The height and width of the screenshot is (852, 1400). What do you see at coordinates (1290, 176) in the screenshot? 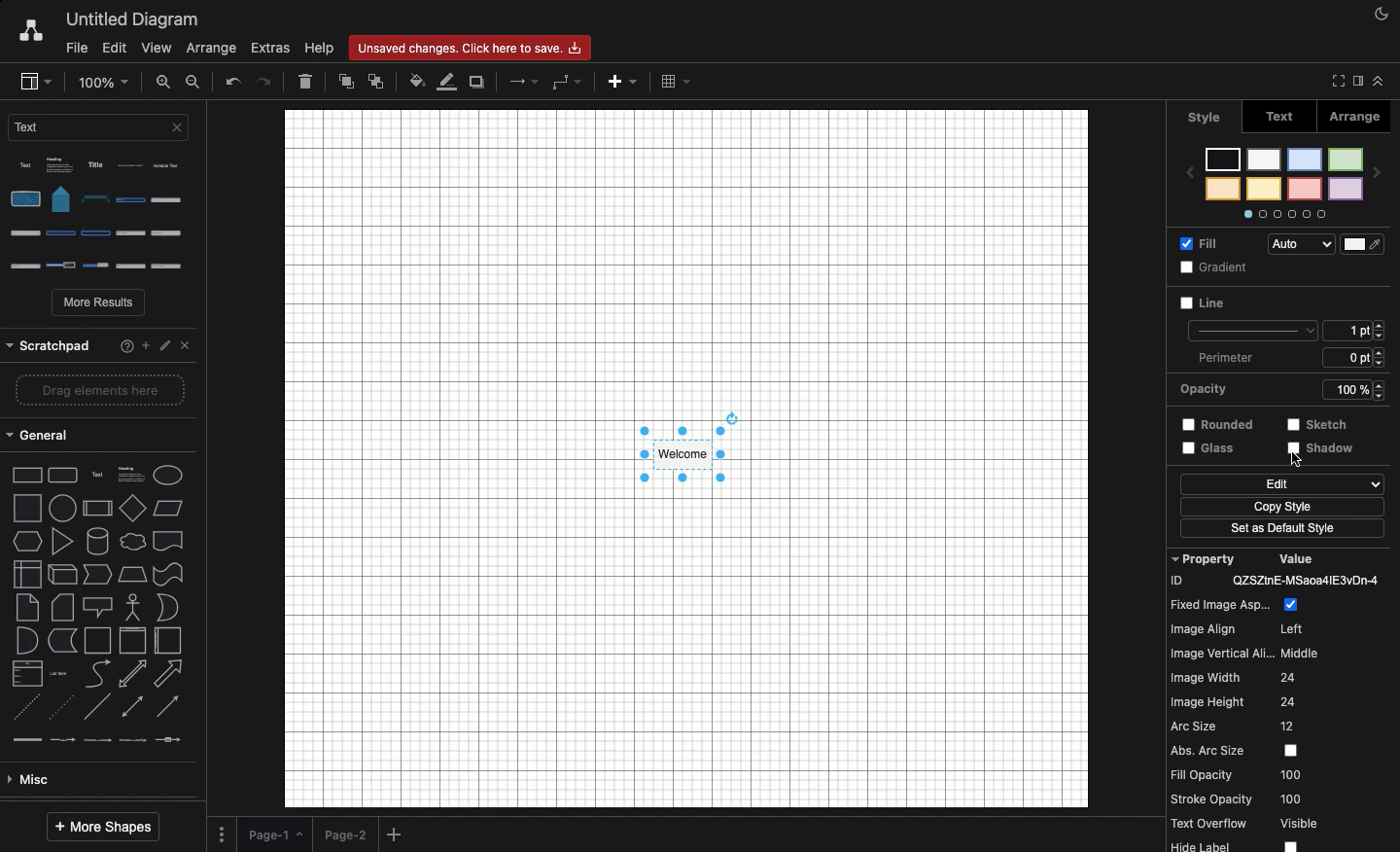
I see `Styles` at bounding box center [1290, 176].